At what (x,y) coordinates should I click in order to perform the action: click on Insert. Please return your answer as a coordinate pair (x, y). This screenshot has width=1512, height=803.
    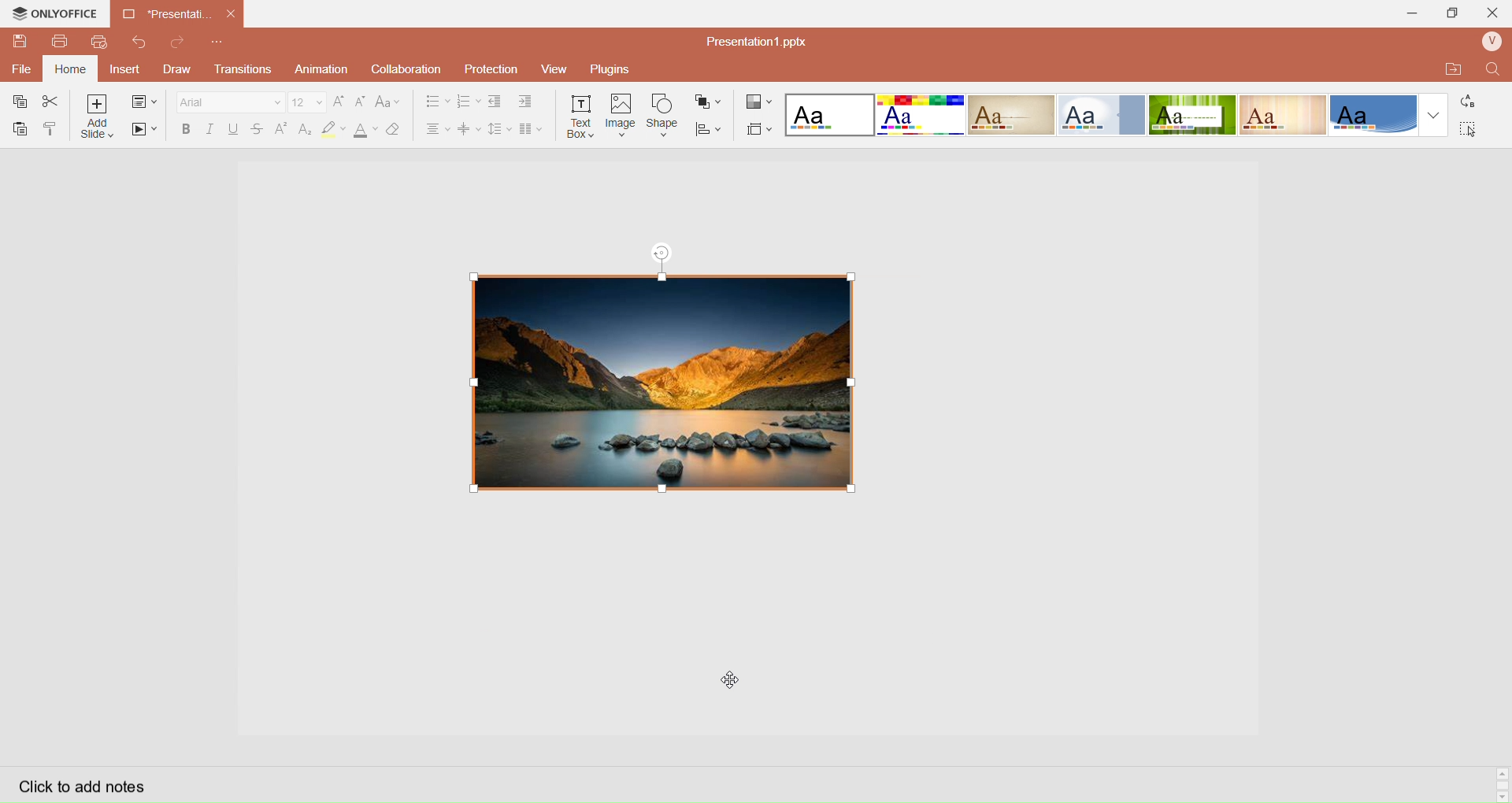
    Looking at the image, I should click on (126, 71).